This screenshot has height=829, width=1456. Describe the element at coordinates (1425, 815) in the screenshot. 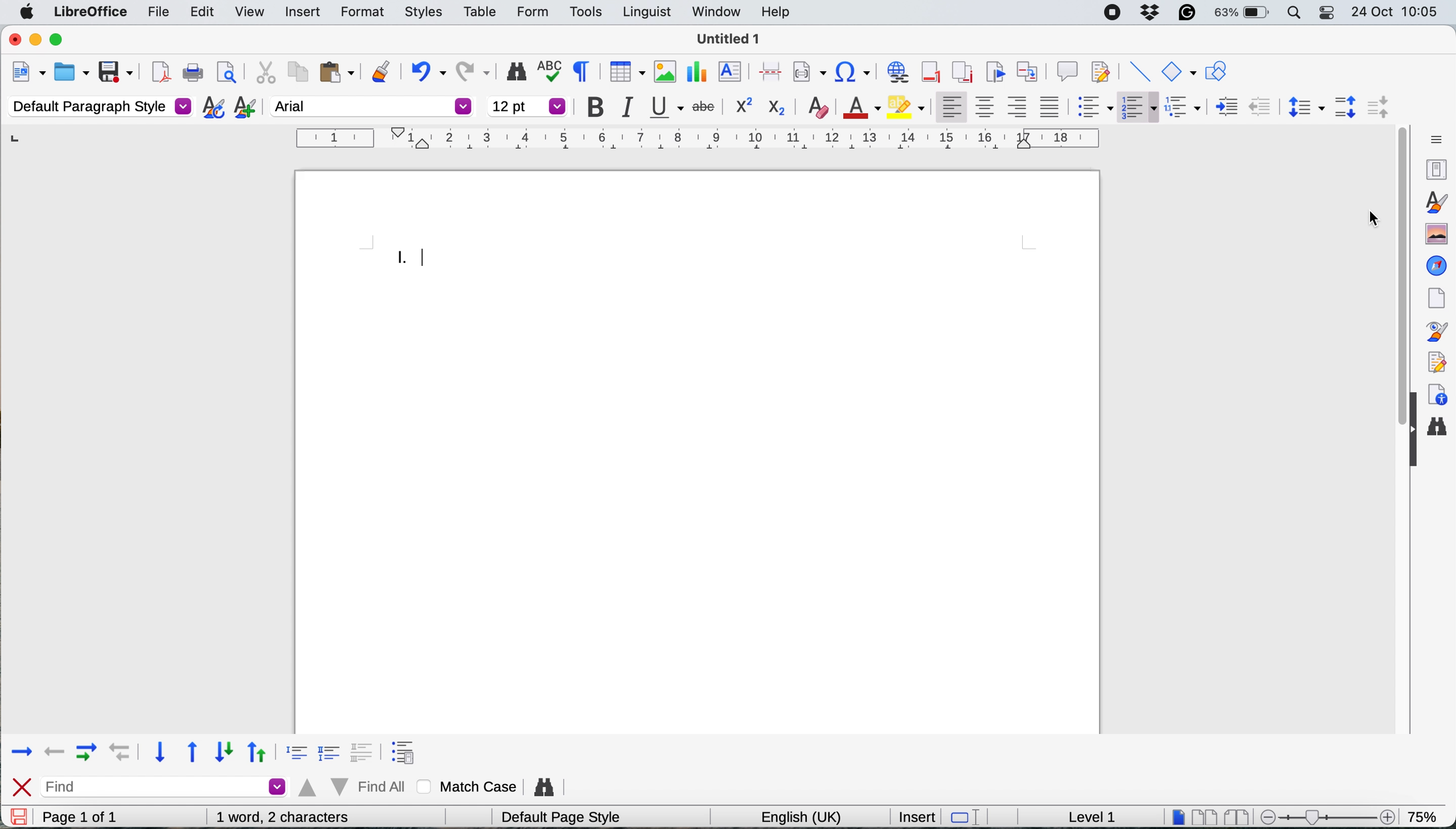

I see `75%` at that location.